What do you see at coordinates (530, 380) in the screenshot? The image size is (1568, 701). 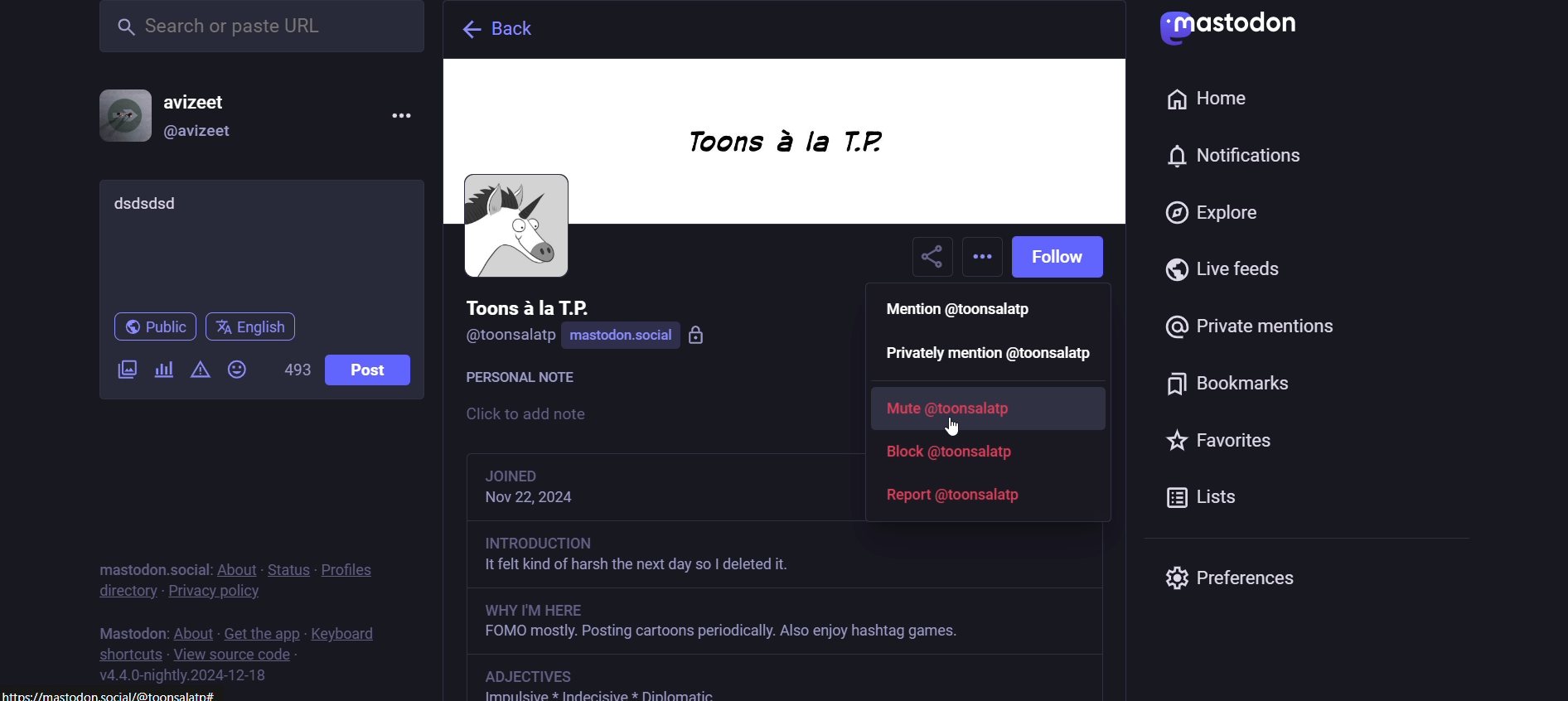 I see `text` at bounding box center [530, 380].